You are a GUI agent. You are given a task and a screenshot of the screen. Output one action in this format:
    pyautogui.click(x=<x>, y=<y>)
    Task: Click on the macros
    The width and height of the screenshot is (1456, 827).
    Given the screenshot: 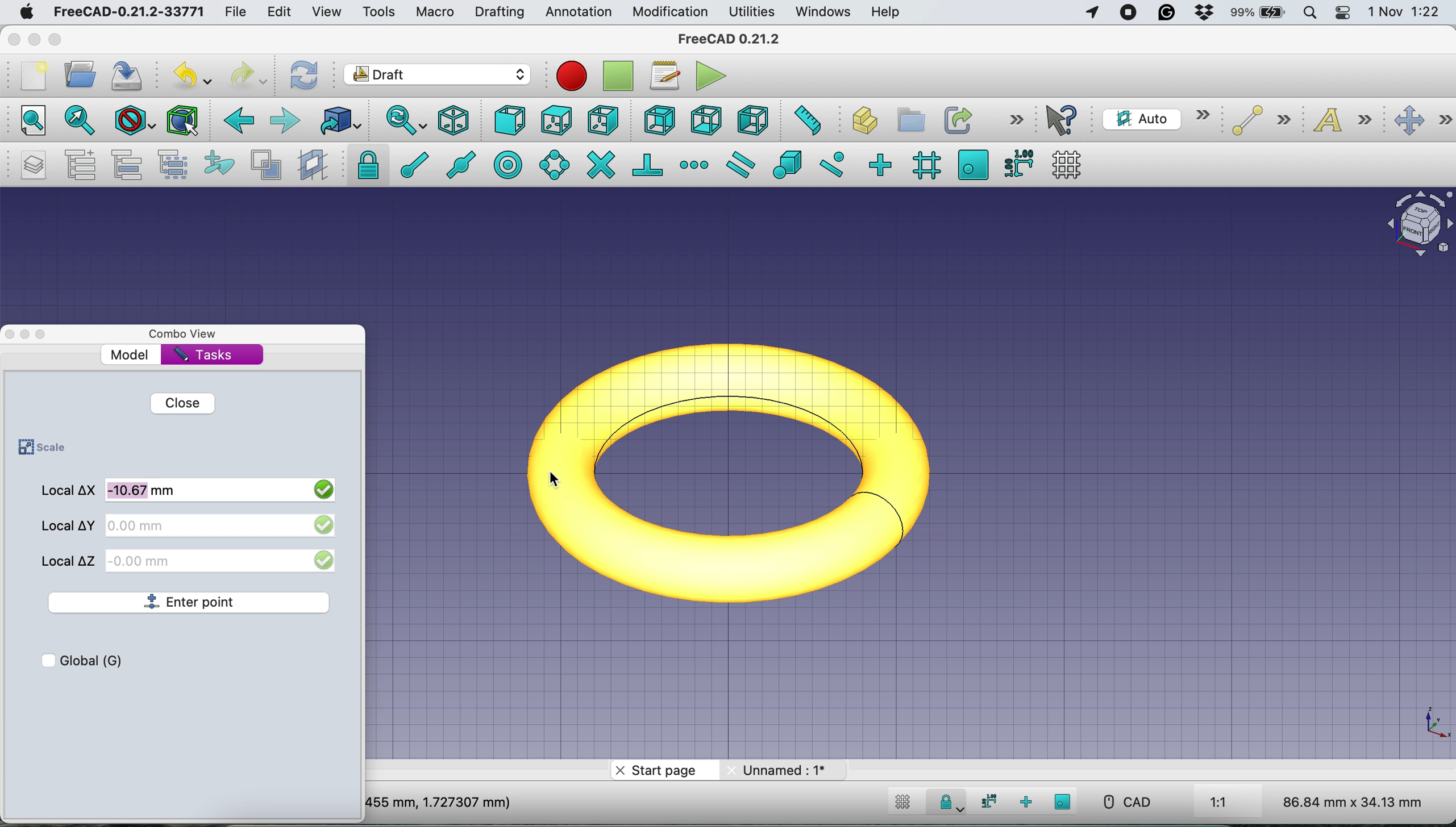 What is the action you would take?
    pyautogui.click(x=664, y=79)
    